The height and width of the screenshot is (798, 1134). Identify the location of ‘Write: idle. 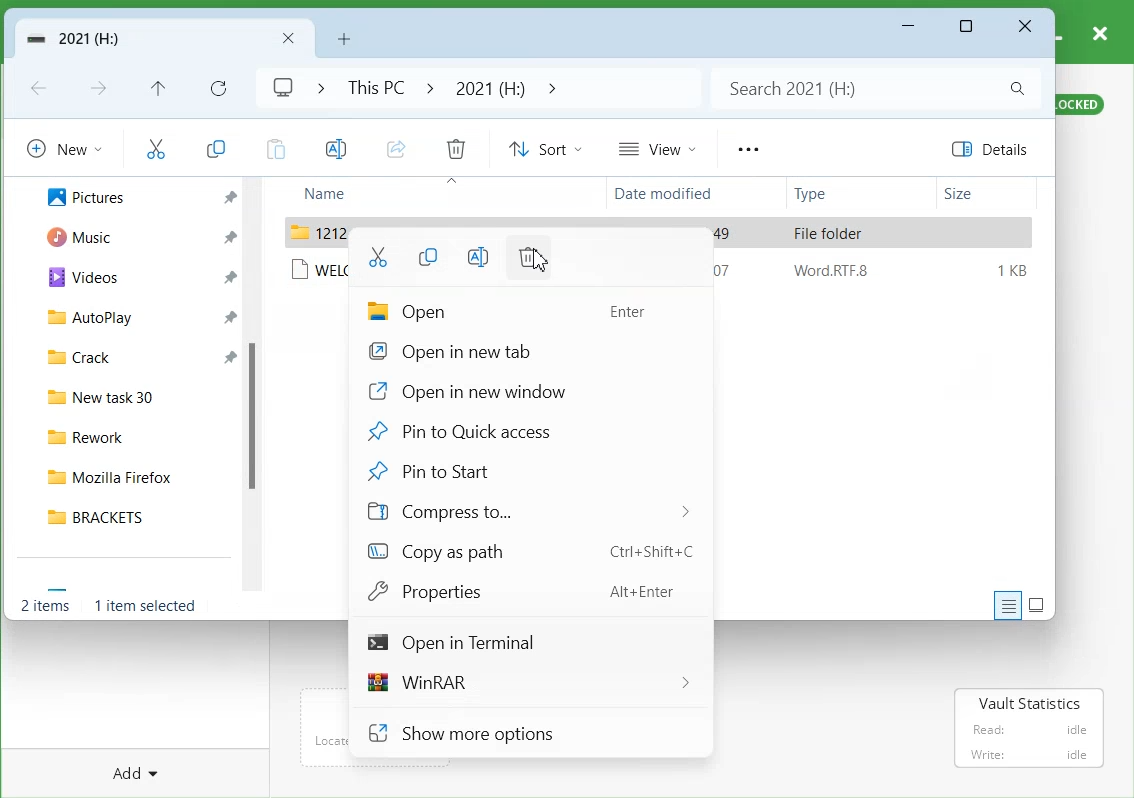
(1027, 755).